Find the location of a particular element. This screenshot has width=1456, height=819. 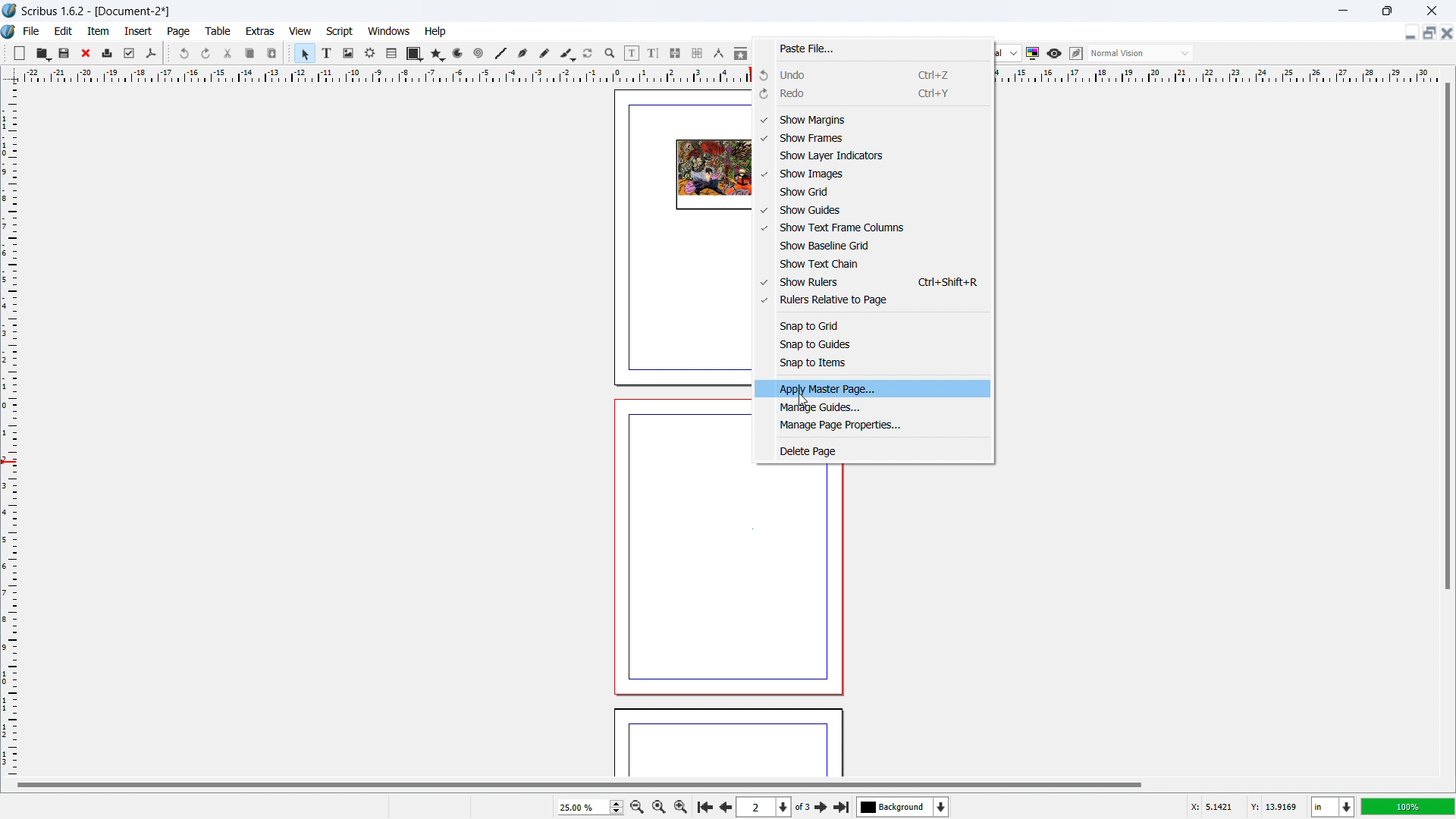

image frame is located at coordinates (348, 53).